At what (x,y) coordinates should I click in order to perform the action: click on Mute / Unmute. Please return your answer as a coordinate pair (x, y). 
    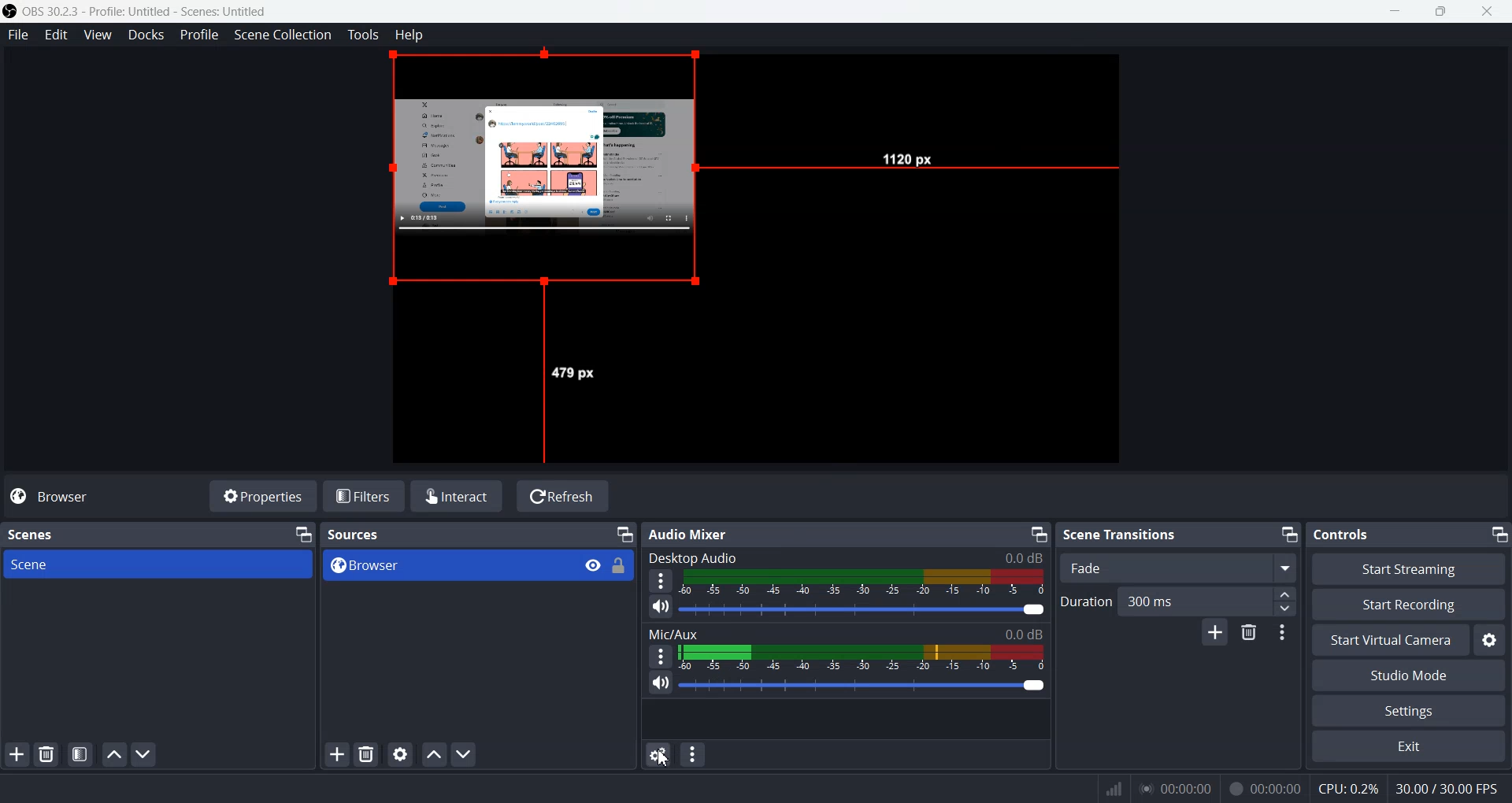
    Looking at the image, I should click on (661, 683).